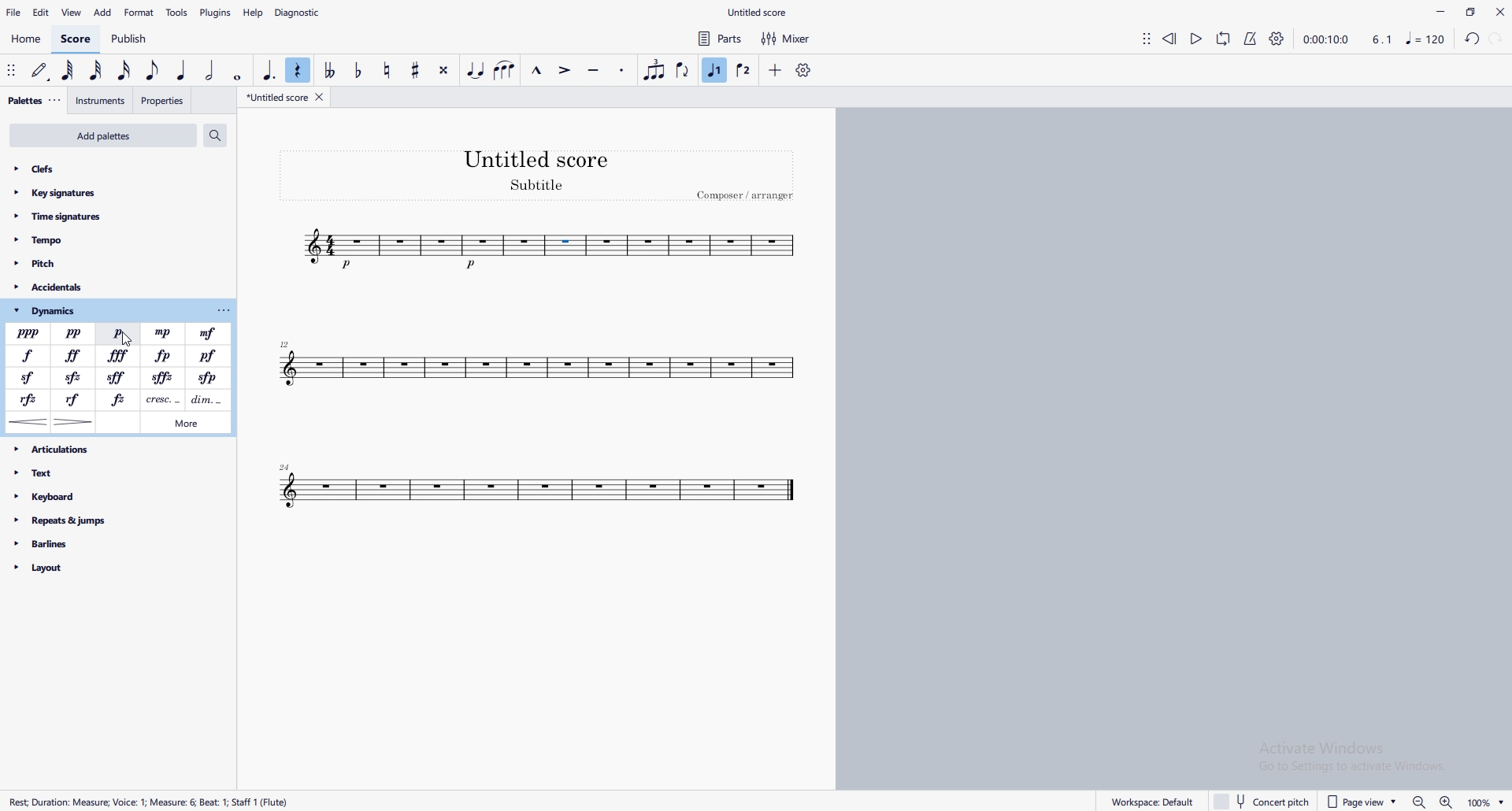 This screenshot has width=1512, height=811. I want to click on half note, so click(212, 69).